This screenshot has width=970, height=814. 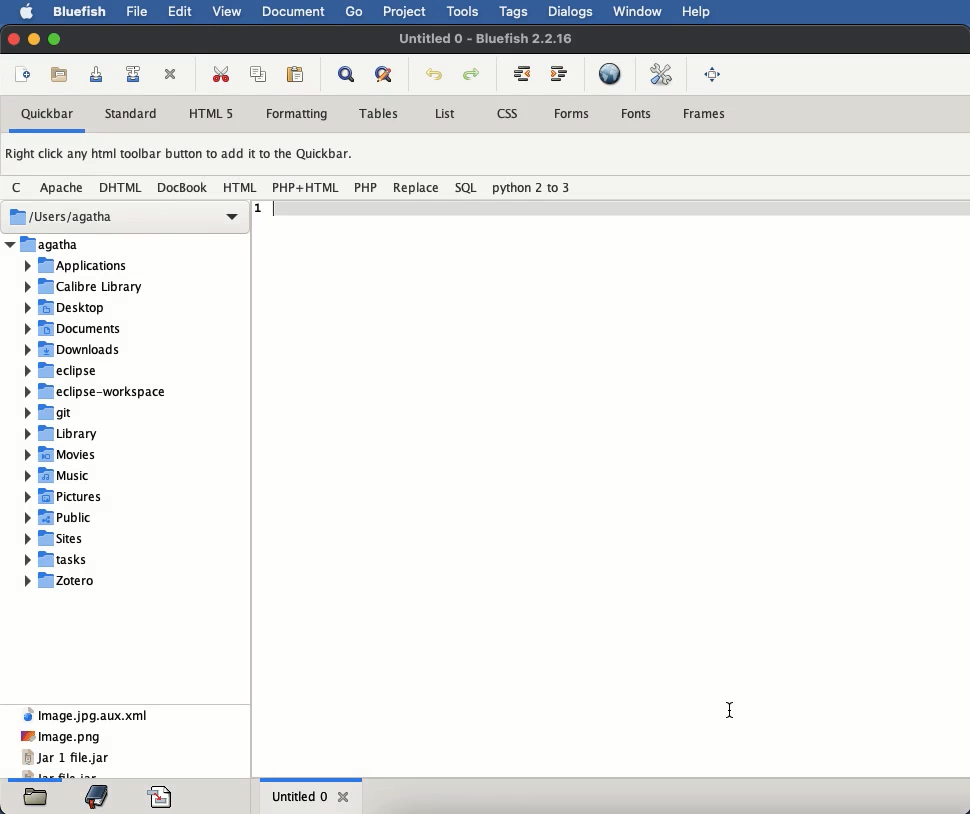 What do you see at coordinates (221, 73) in the screenshot?
I see `cut` at bounding box center [221, 73].